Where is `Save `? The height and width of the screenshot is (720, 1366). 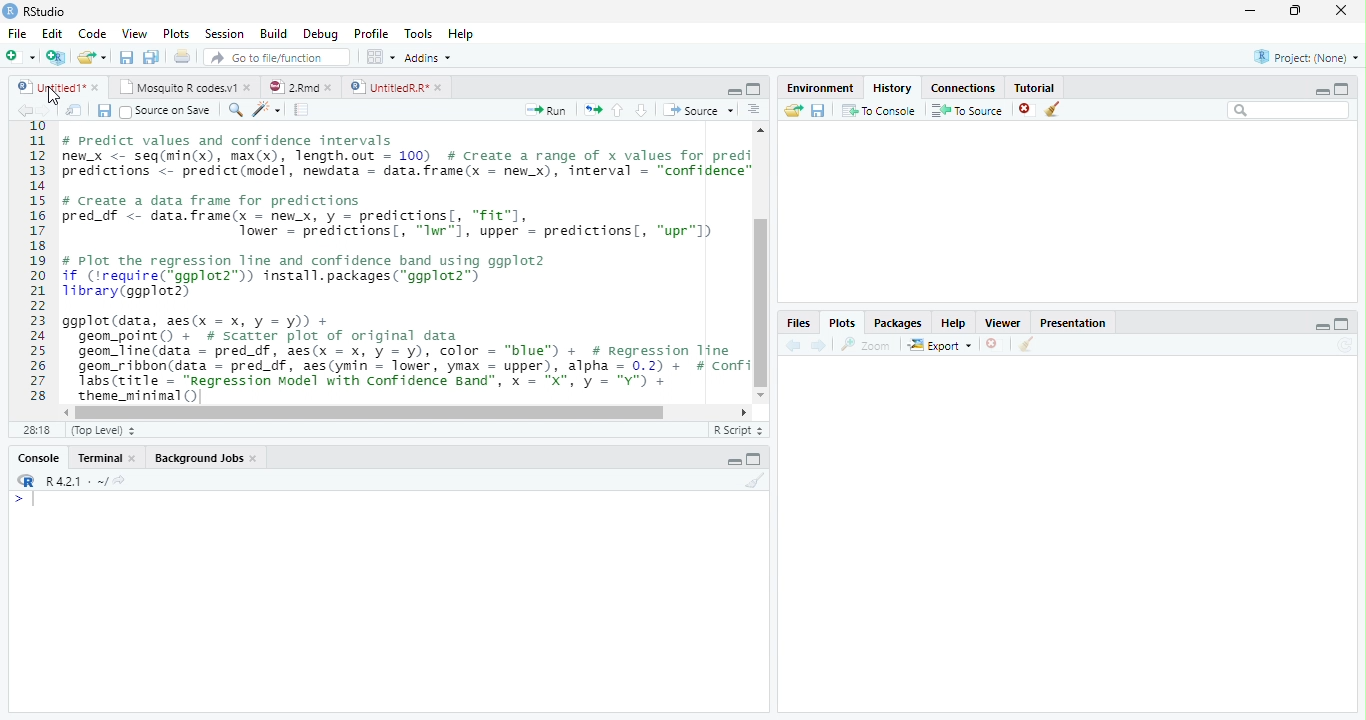
Save  is located at coordinates (130, 59).